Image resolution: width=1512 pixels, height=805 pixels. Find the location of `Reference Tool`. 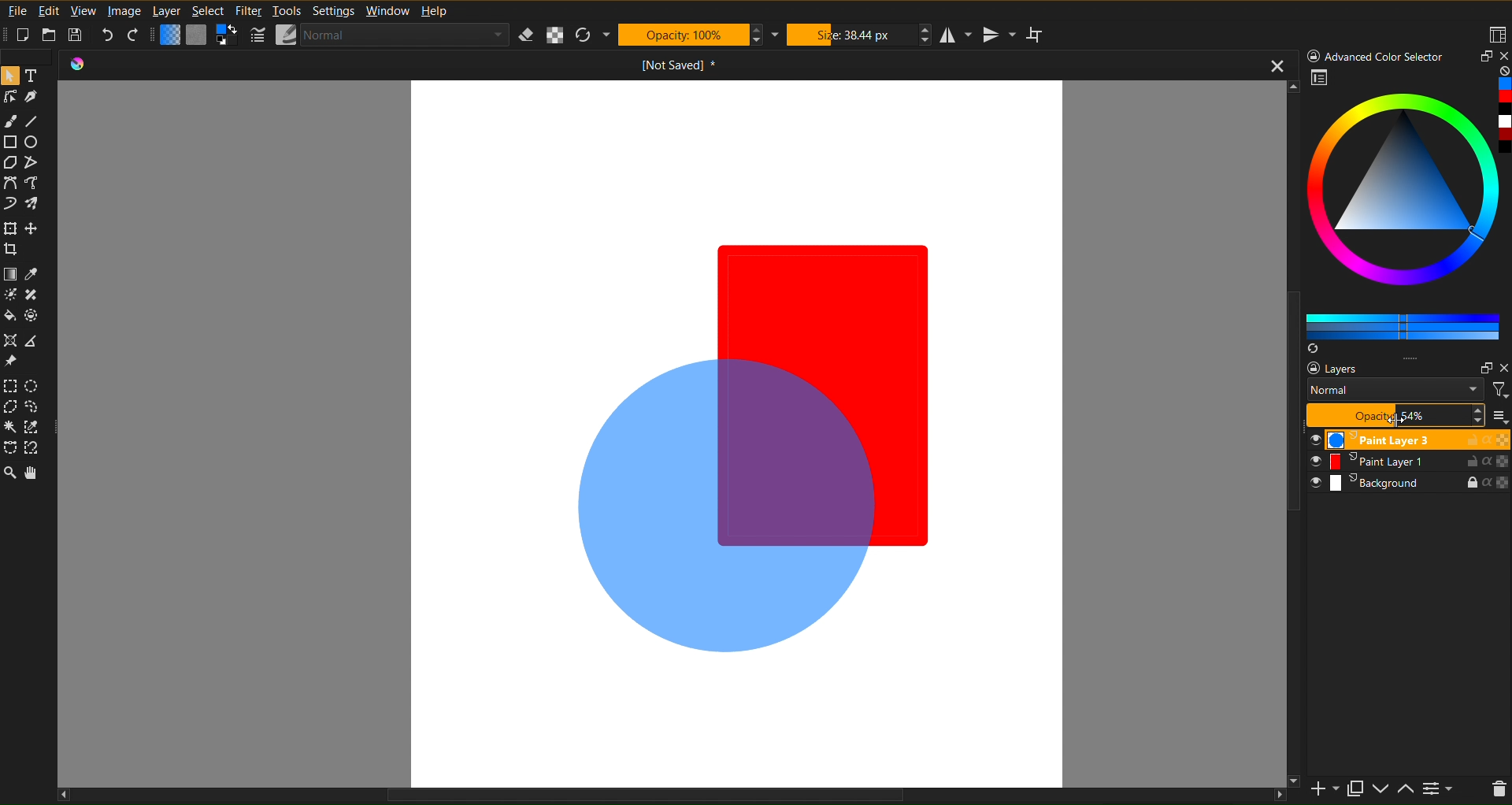

Reference Tool is located at coordinates (13, 359).